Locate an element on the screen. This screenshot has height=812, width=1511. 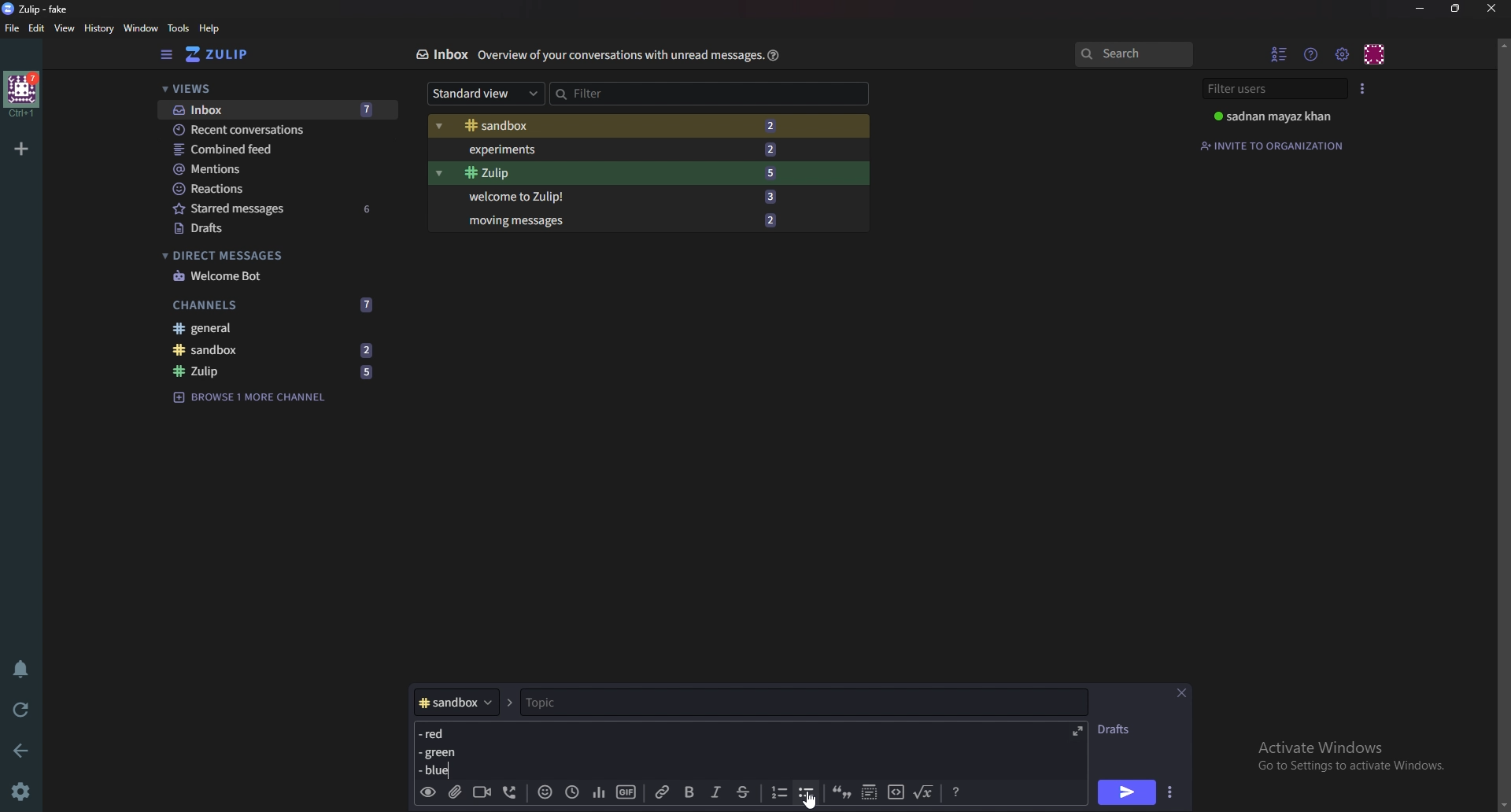
poll is located at coordinates (599, 791).